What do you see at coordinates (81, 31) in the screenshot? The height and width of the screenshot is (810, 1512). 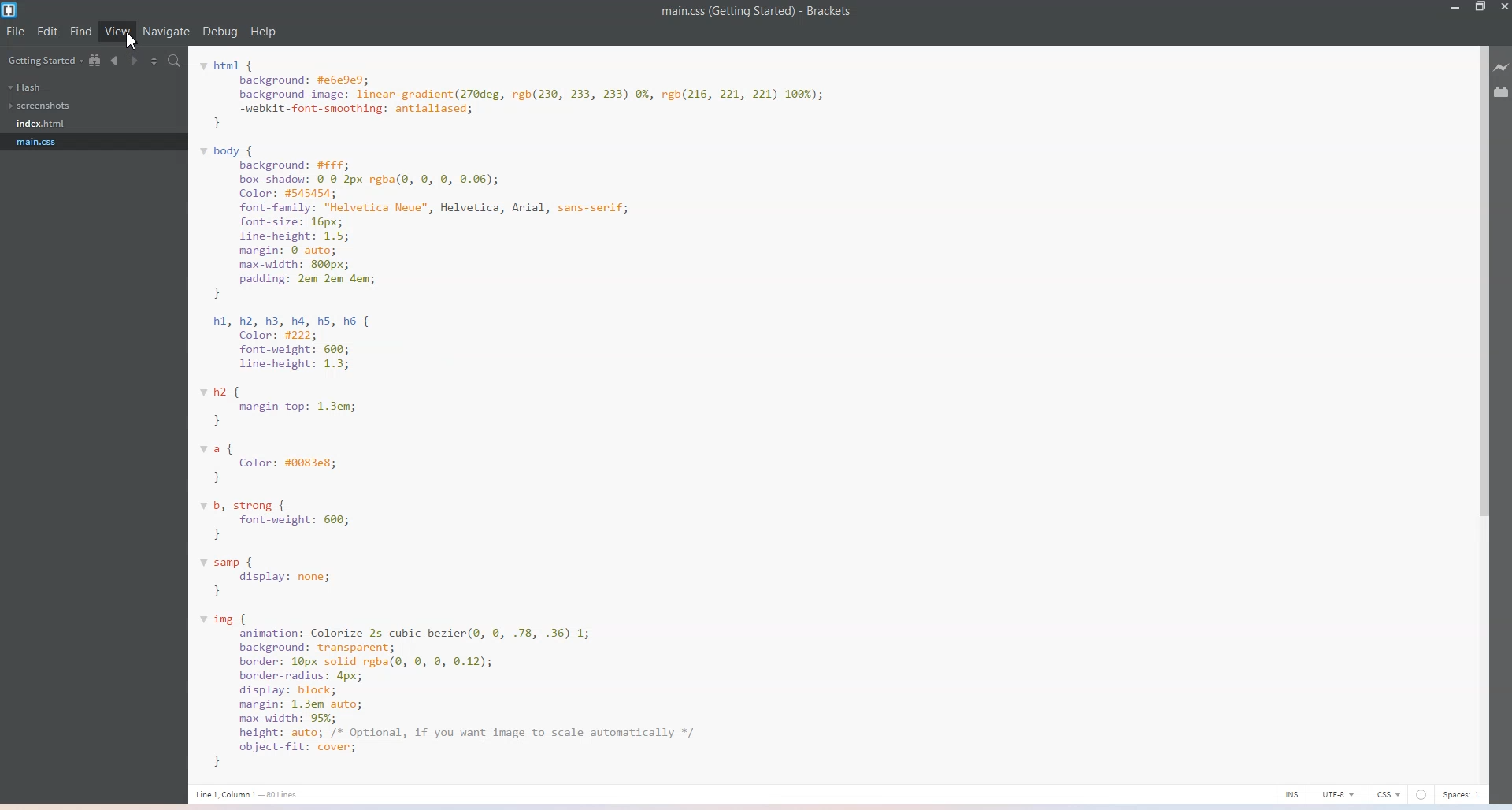 I see `Find` at bounding box center [81, 31].